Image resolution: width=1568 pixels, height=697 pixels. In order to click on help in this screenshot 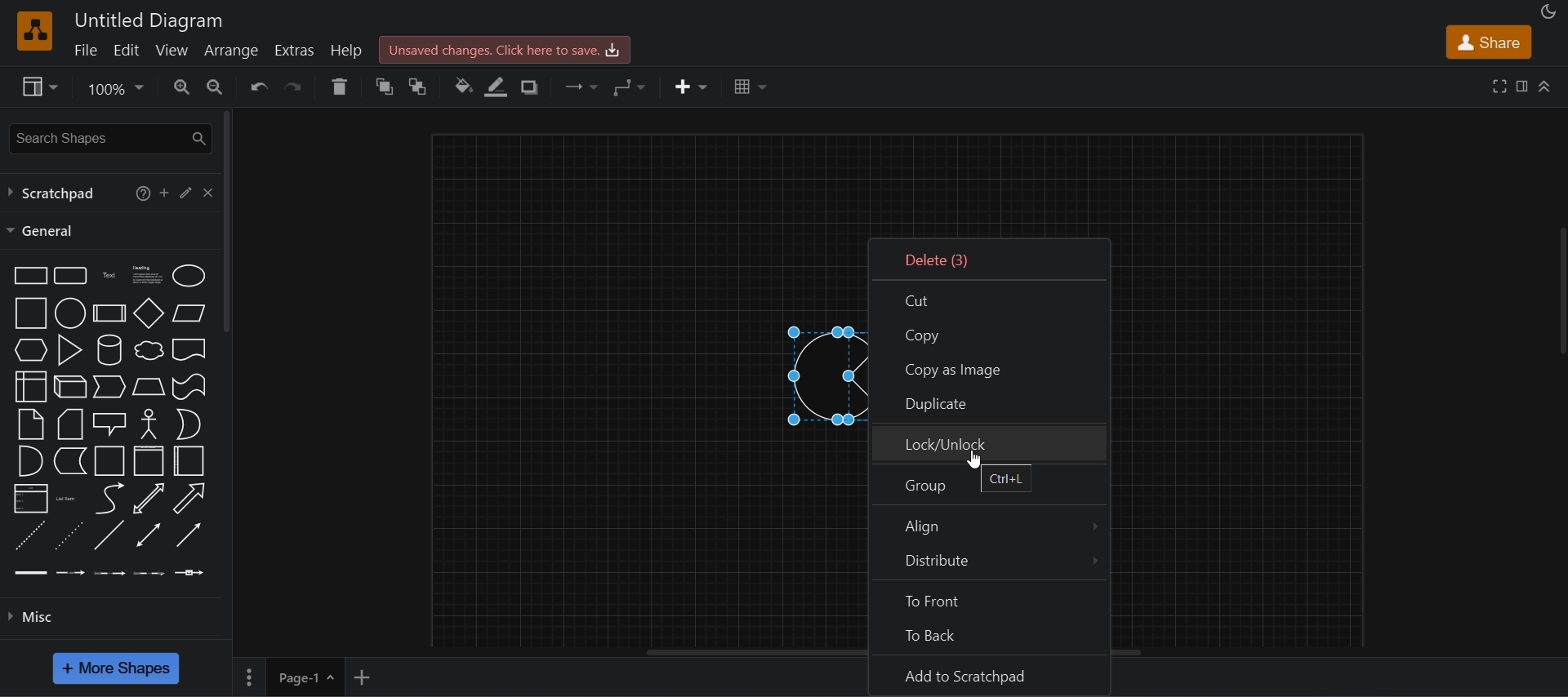, I will do `click(350, 50)`.